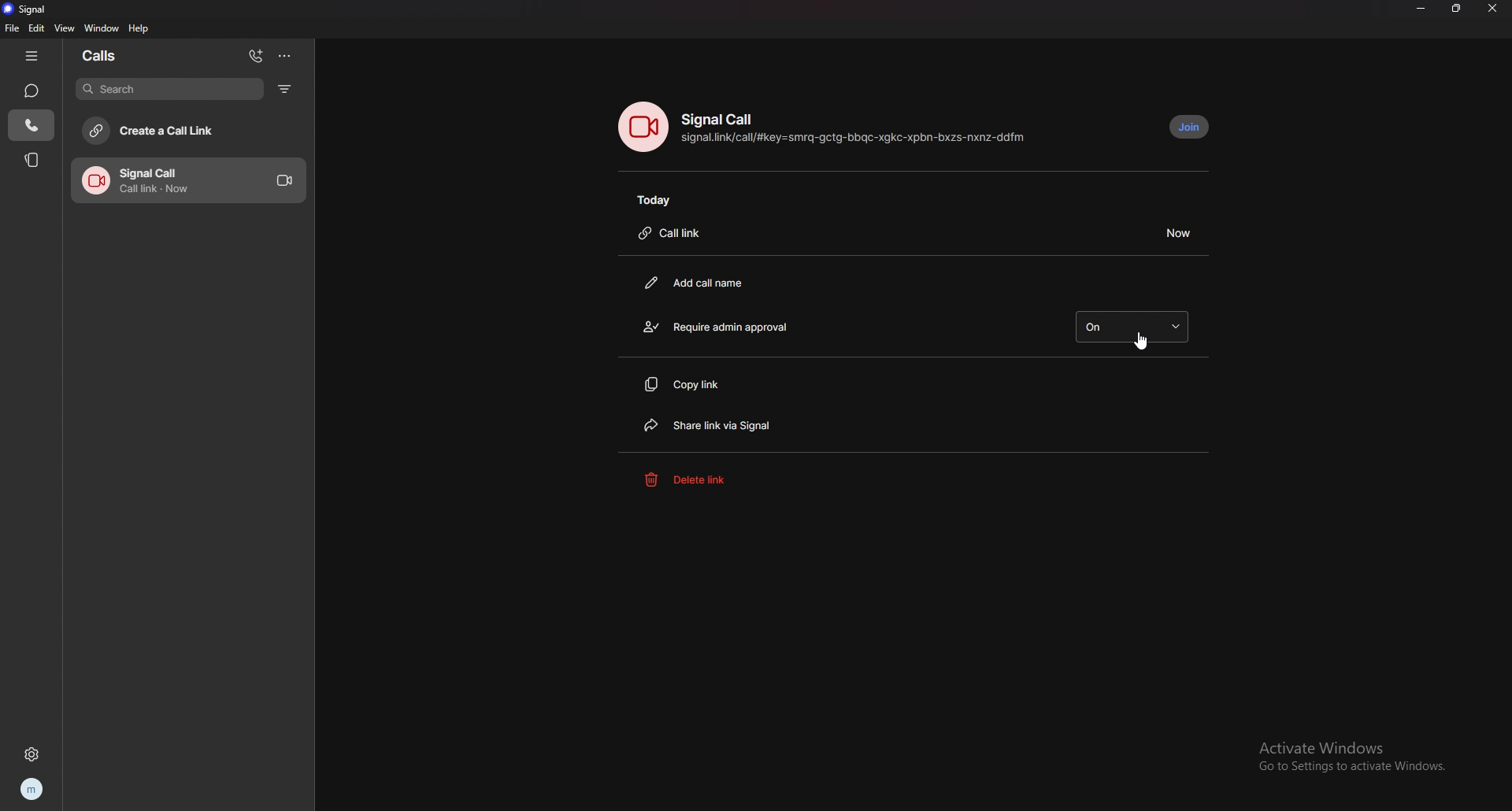  Describe the element at coordinates (32, 91) in the screenshot. I see `chats` at that location.